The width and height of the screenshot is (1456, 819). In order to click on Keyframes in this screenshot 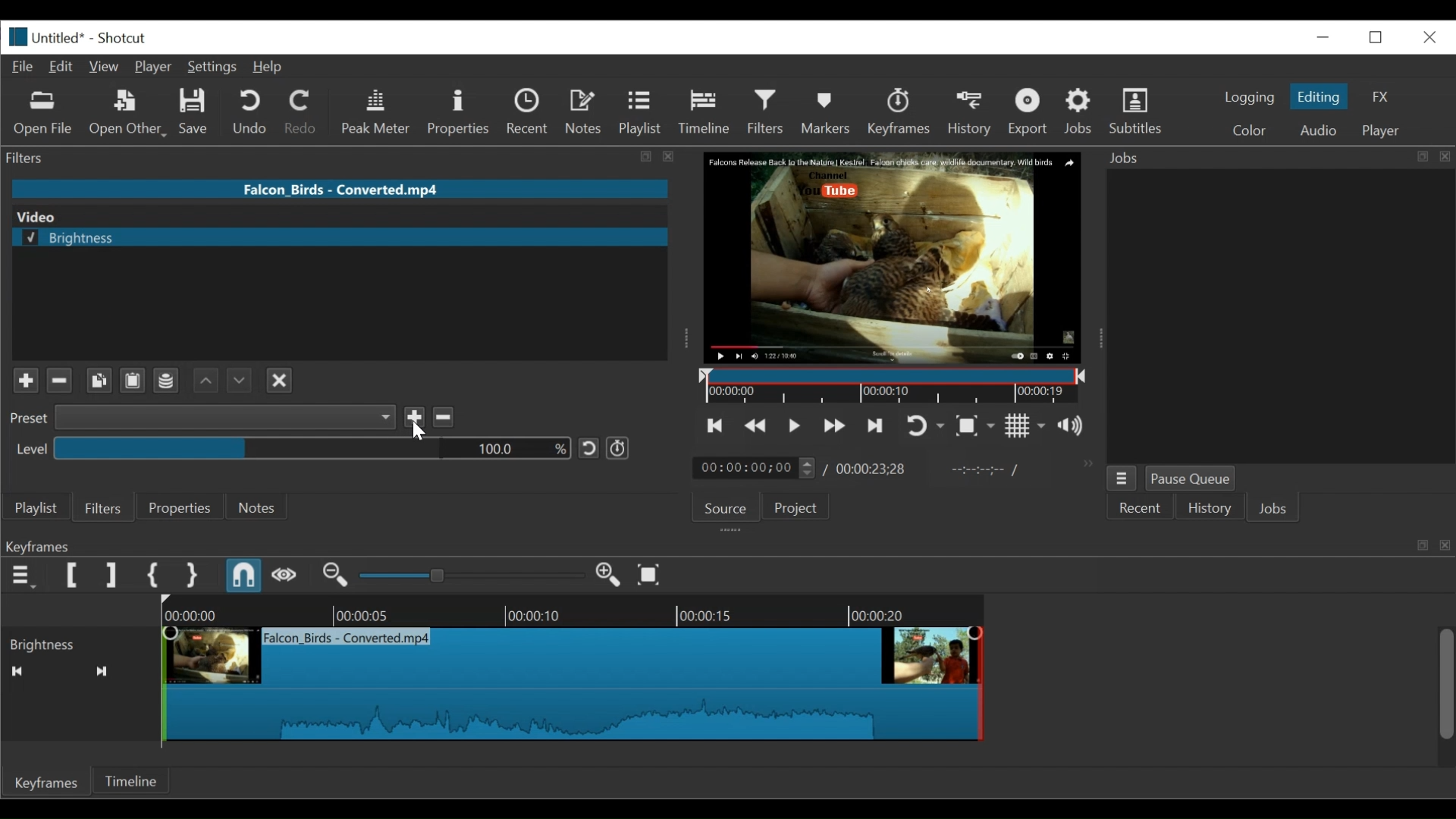, I will do `click(46, 782)`.